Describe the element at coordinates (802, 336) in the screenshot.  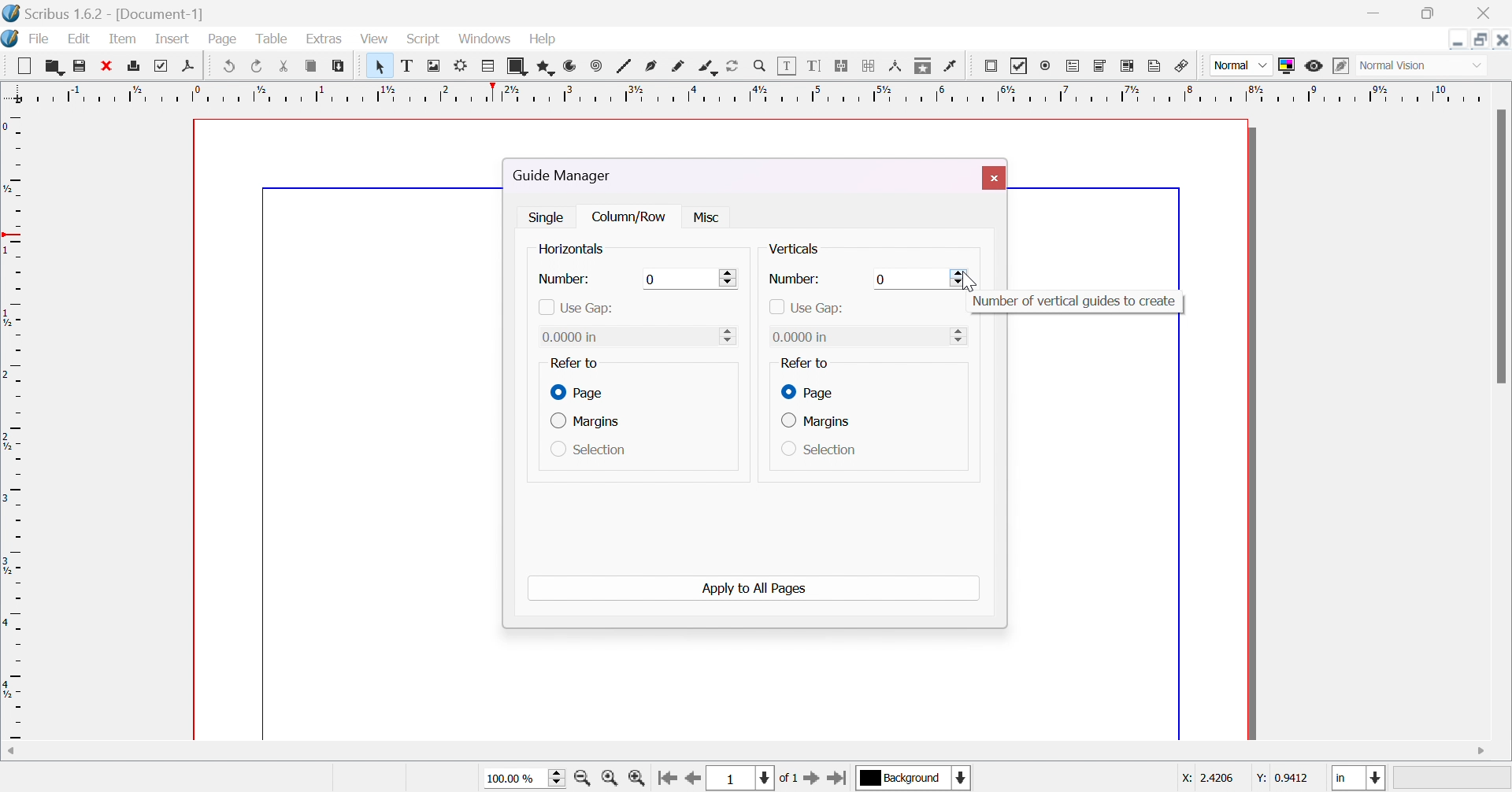
I see `0.0000 in` at that location.